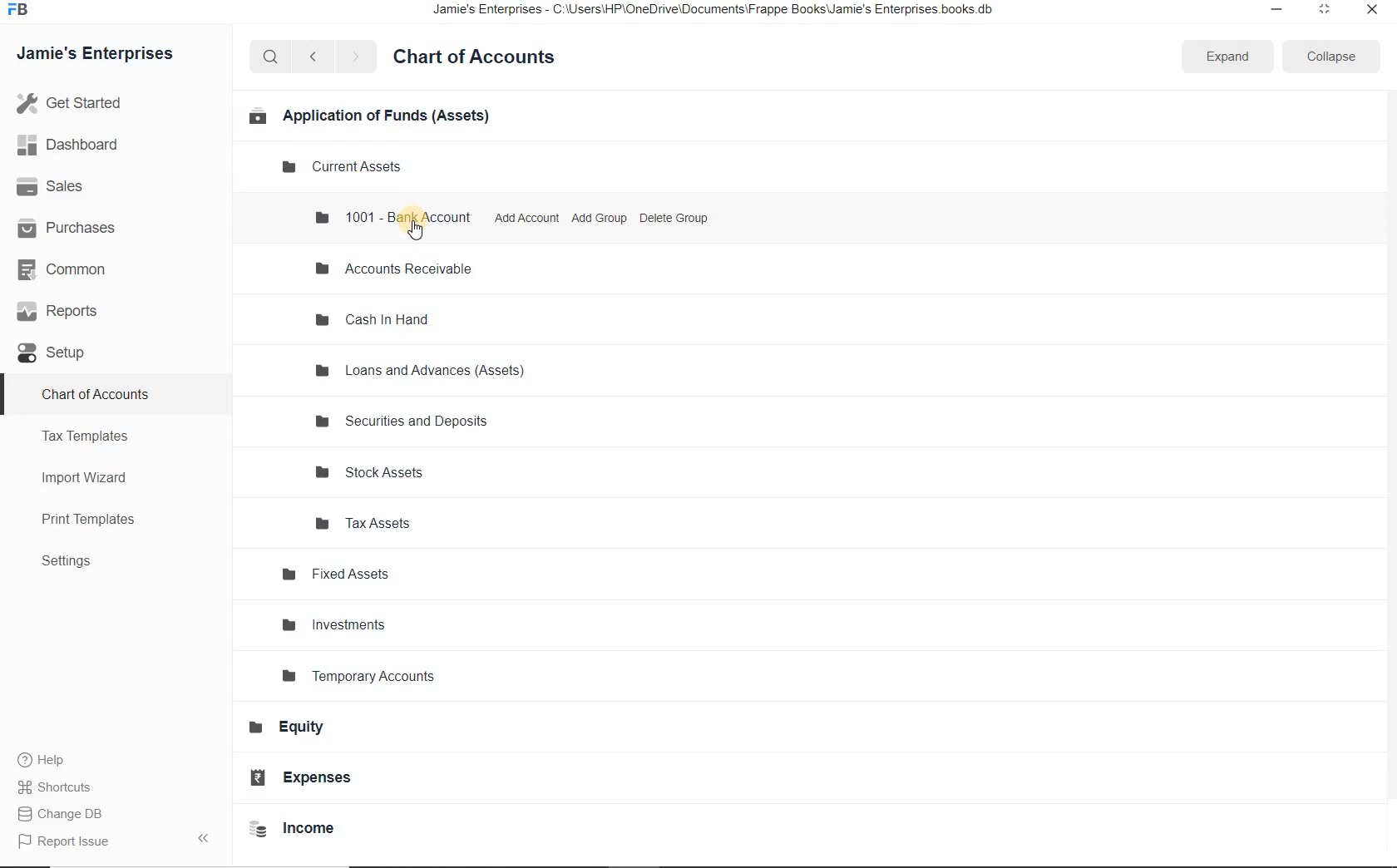 Image resolution: width=1397 pixels, height=868 pixels. Describe the element at coordinates (600, 218) in the screenshot. I see `Add Group` at that location.